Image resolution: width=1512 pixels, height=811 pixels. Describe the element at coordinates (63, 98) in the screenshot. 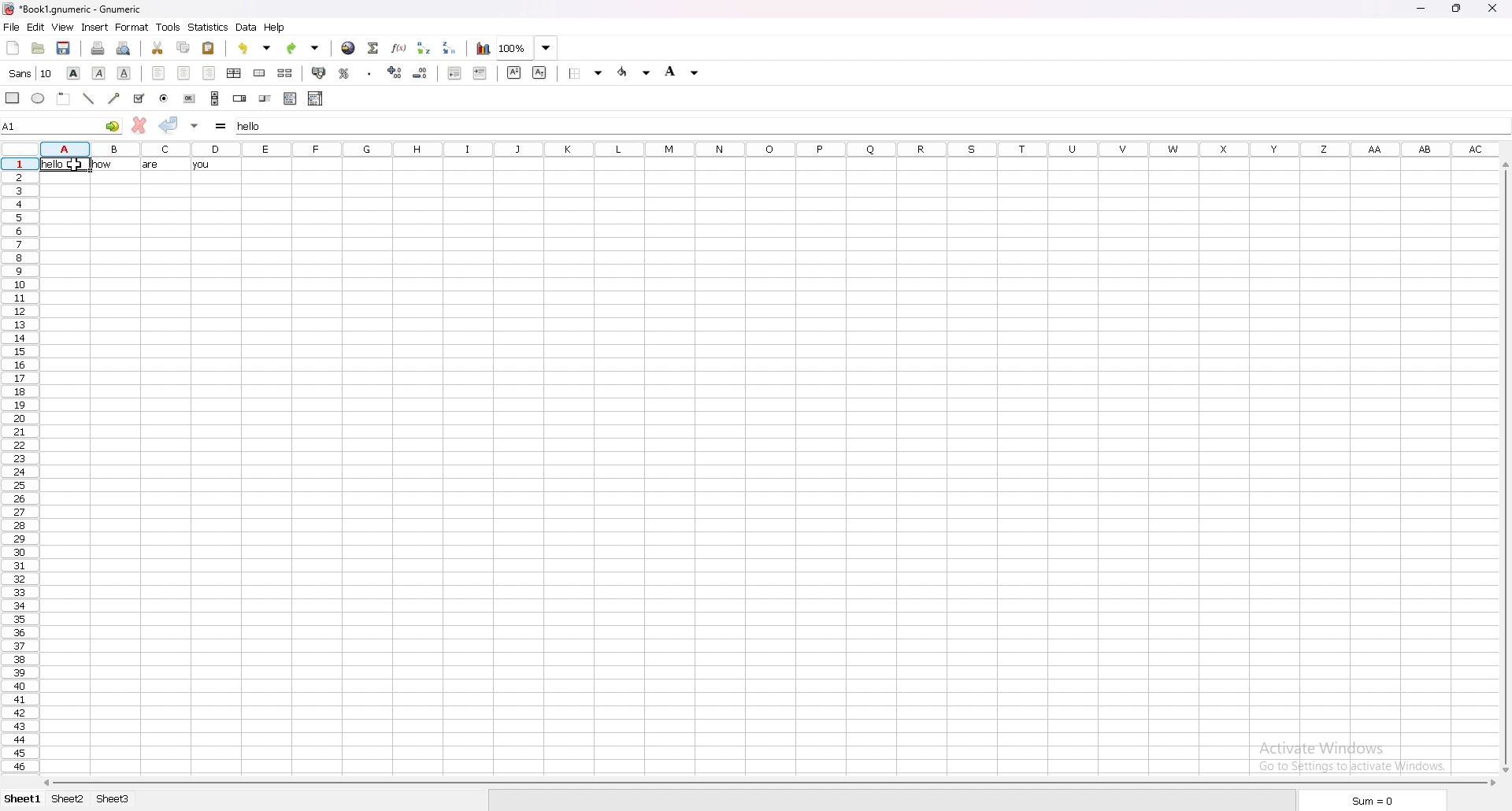

I see `frame` at that location.